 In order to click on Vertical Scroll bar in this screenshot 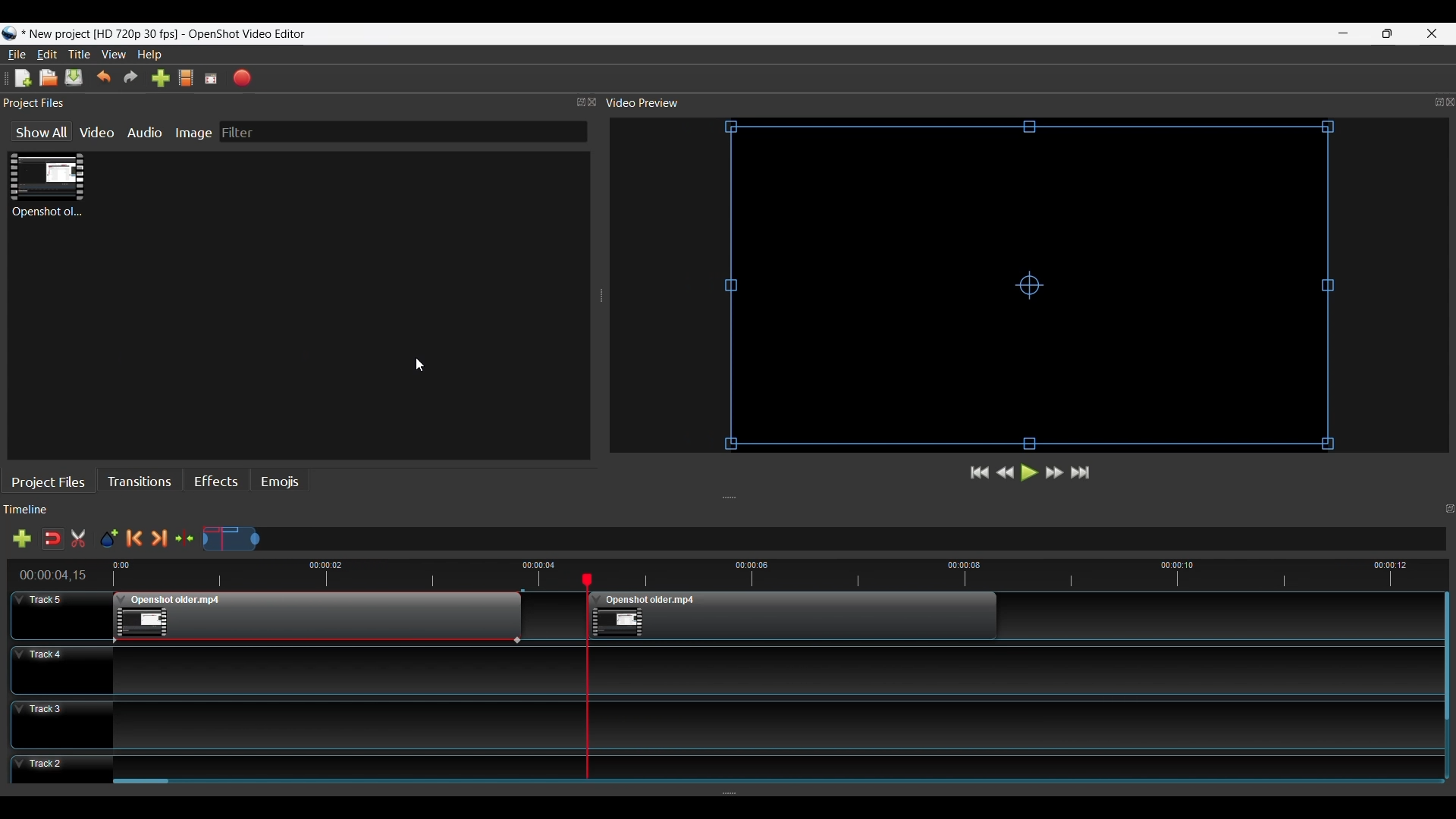, I will do `click(143, 783)`.